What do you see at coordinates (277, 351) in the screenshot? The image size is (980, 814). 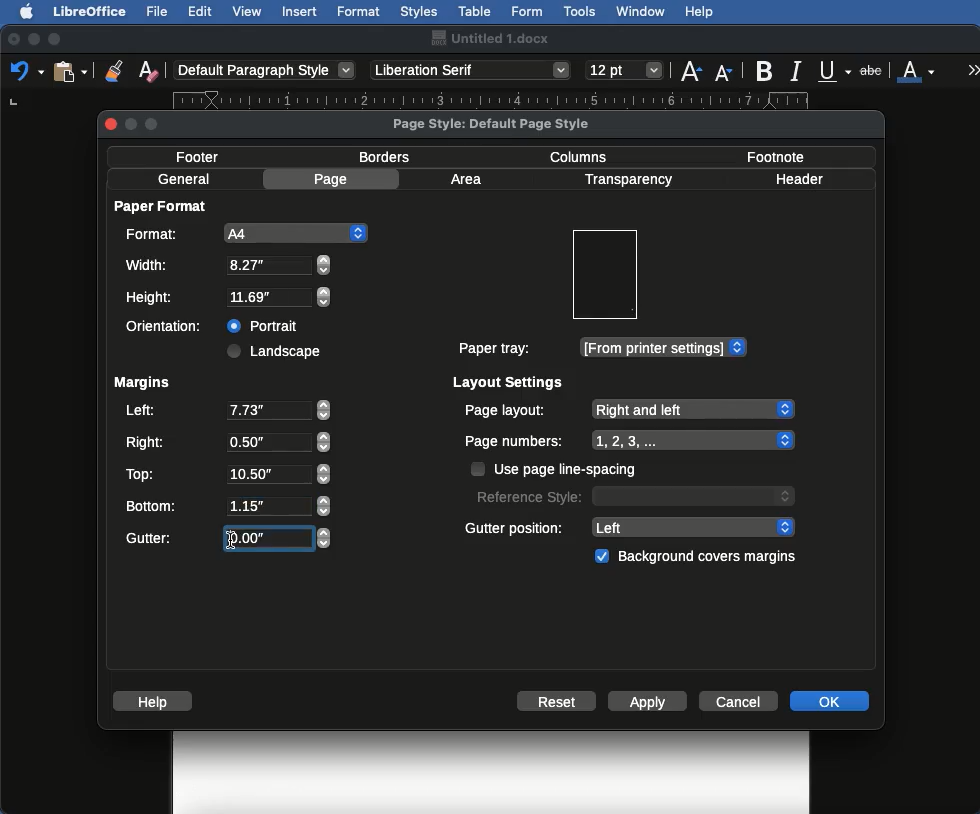 I see `Landscape` at bounding box center [277, 351].